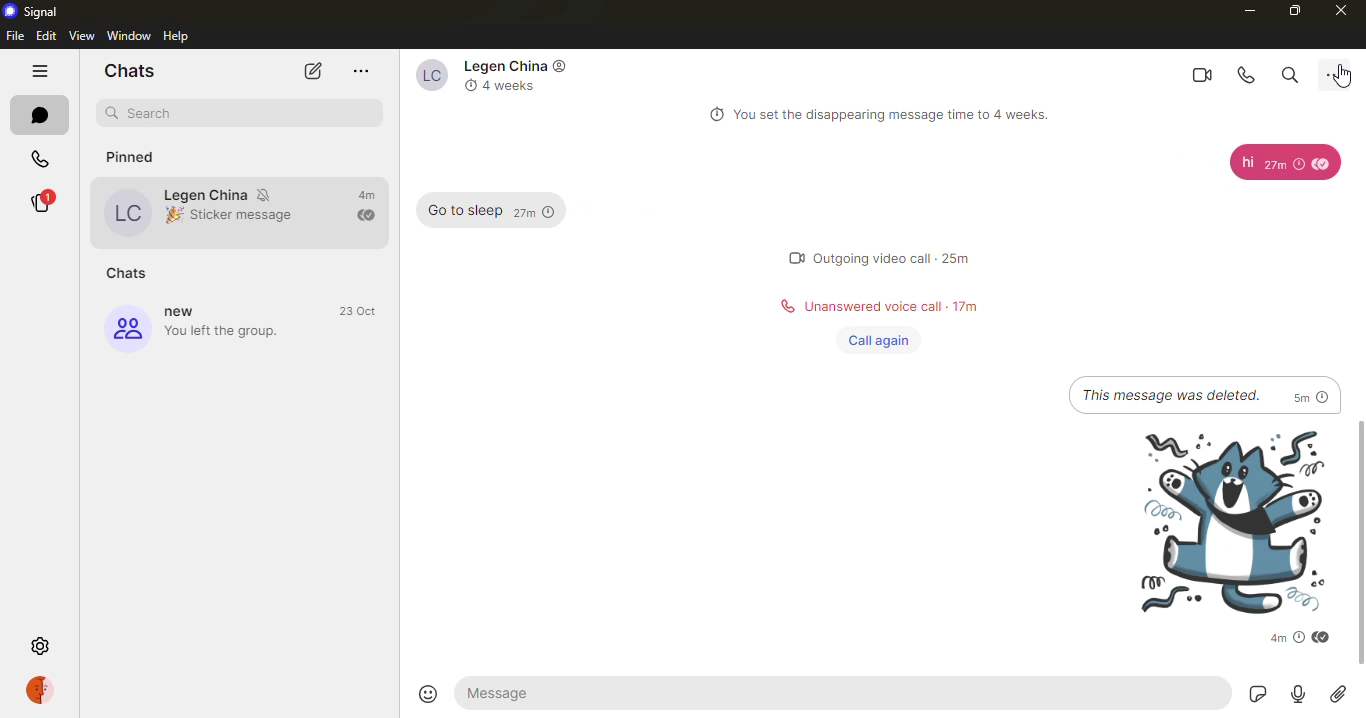 Image resolution: width=1366 pixels, height=718 pixels. What do you see at coordinates (712, 115) in the screenshot?
I see `clock logo` at bounding box center [712, 115].